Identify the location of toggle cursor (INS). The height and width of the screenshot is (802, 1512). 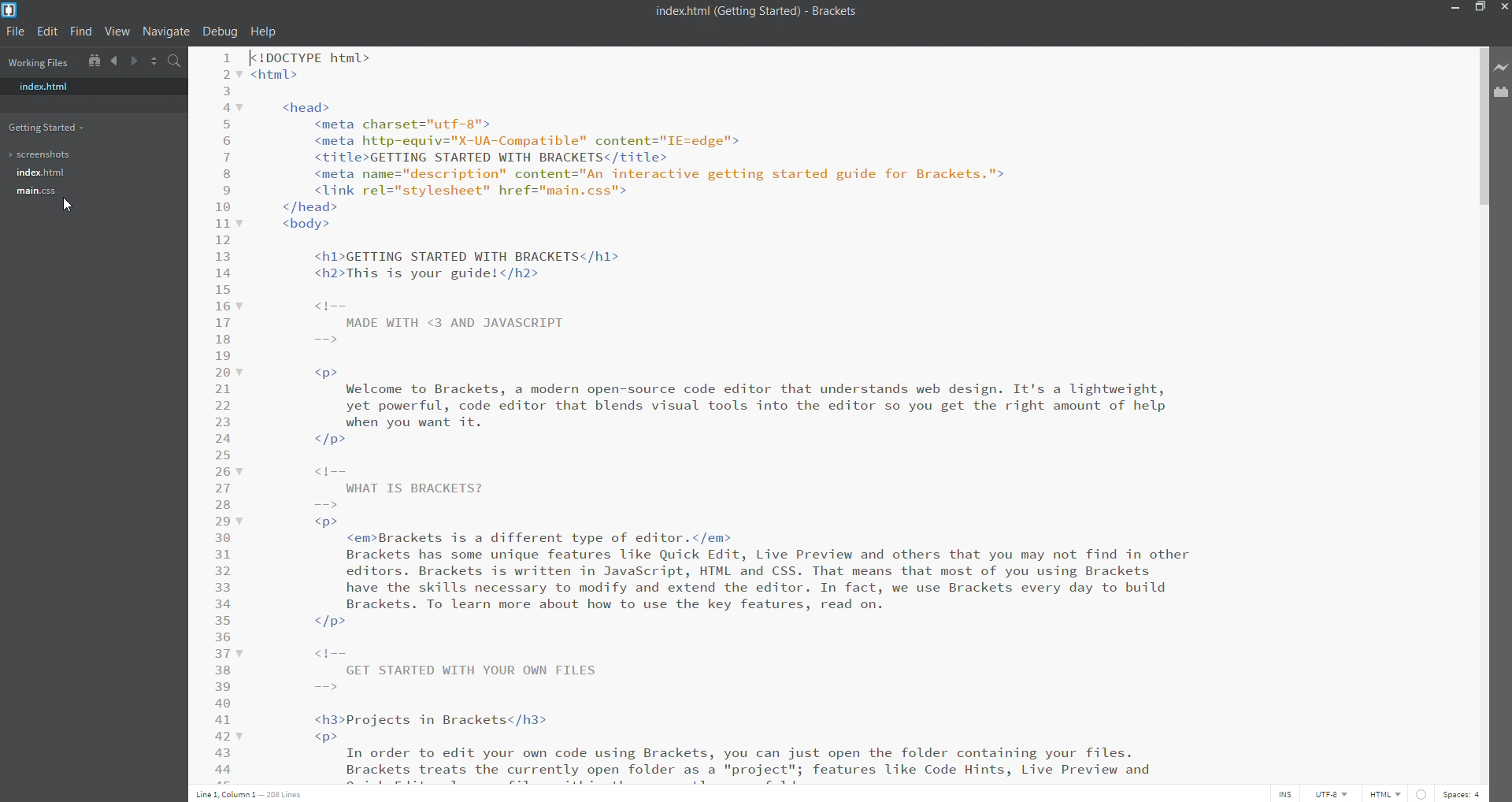
(1285, 793).